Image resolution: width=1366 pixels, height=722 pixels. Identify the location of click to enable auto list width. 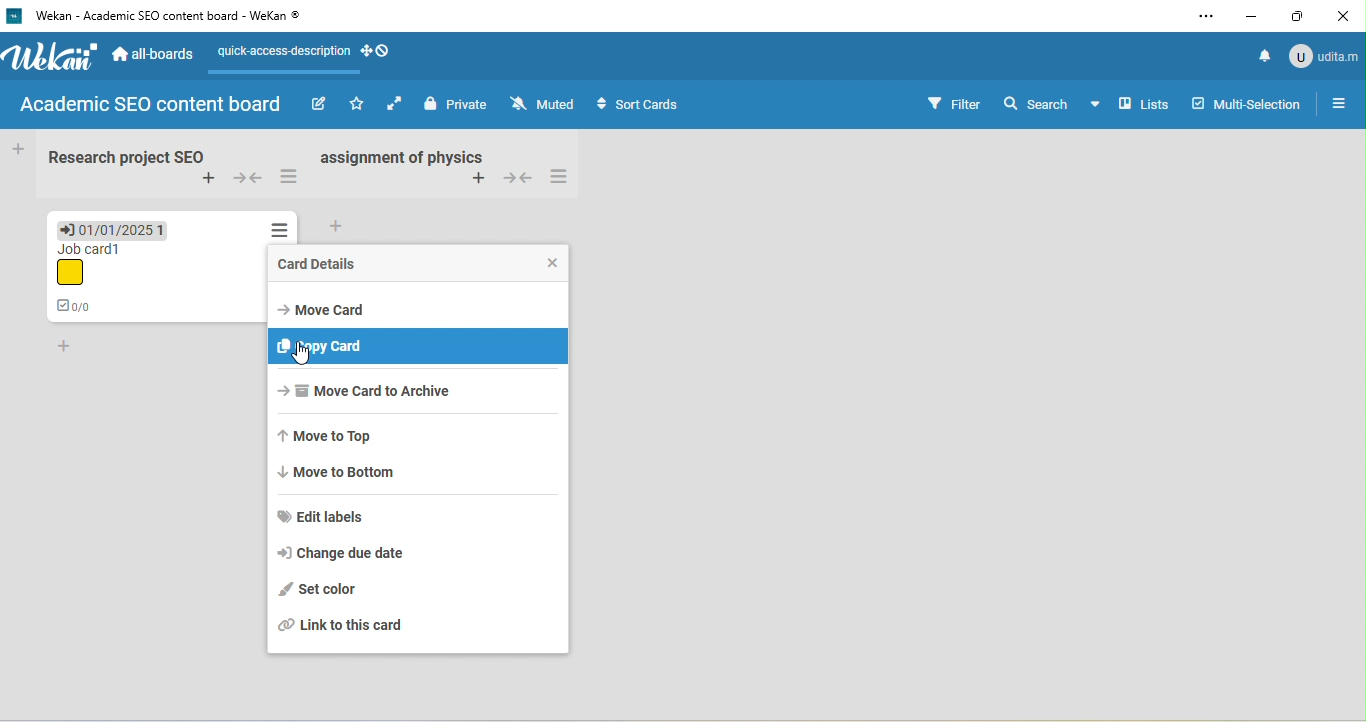
(397, 104).